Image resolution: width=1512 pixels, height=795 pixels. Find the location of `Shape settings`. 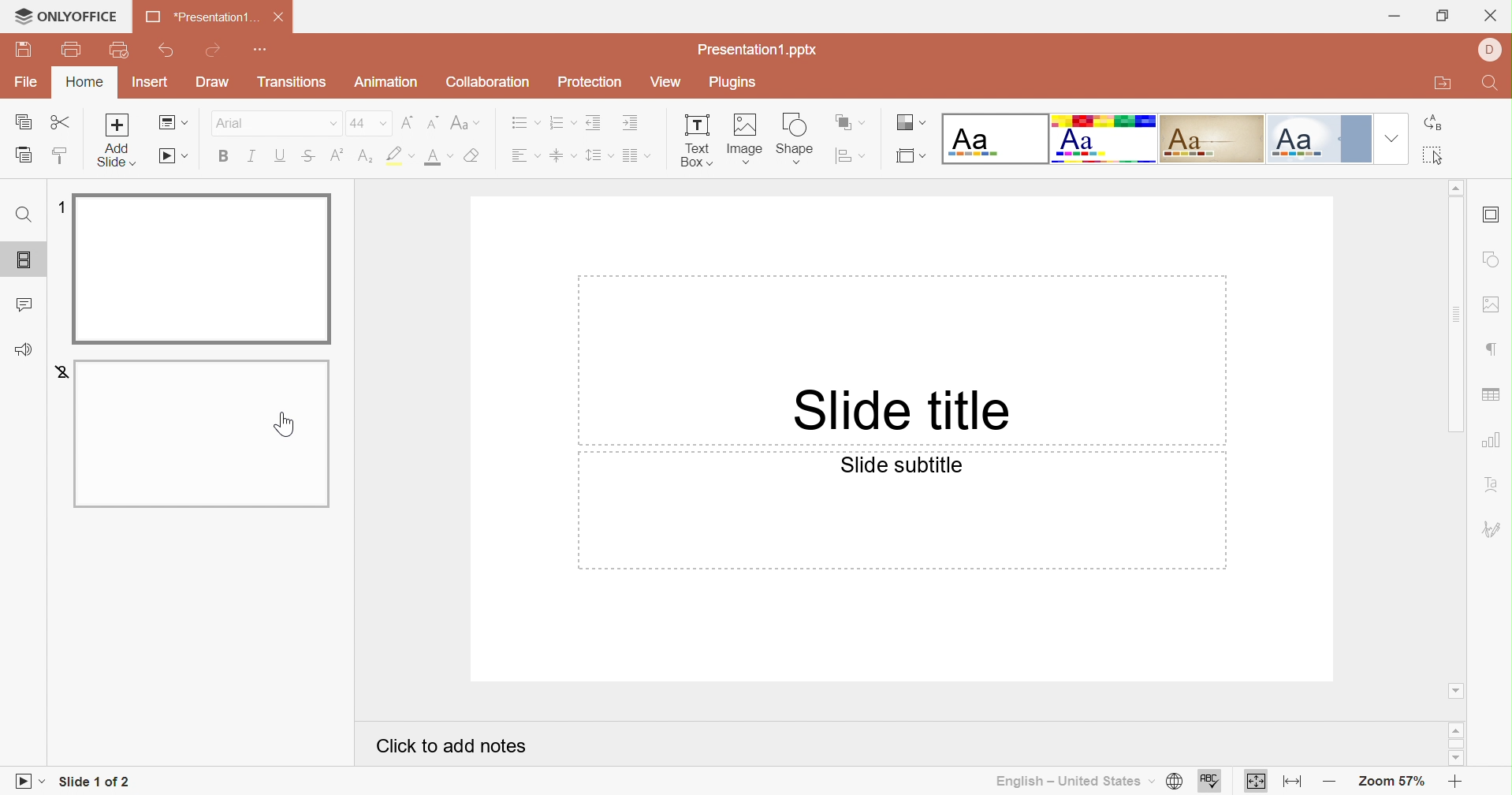

Shape settings is located at coordinates (1491, 259).